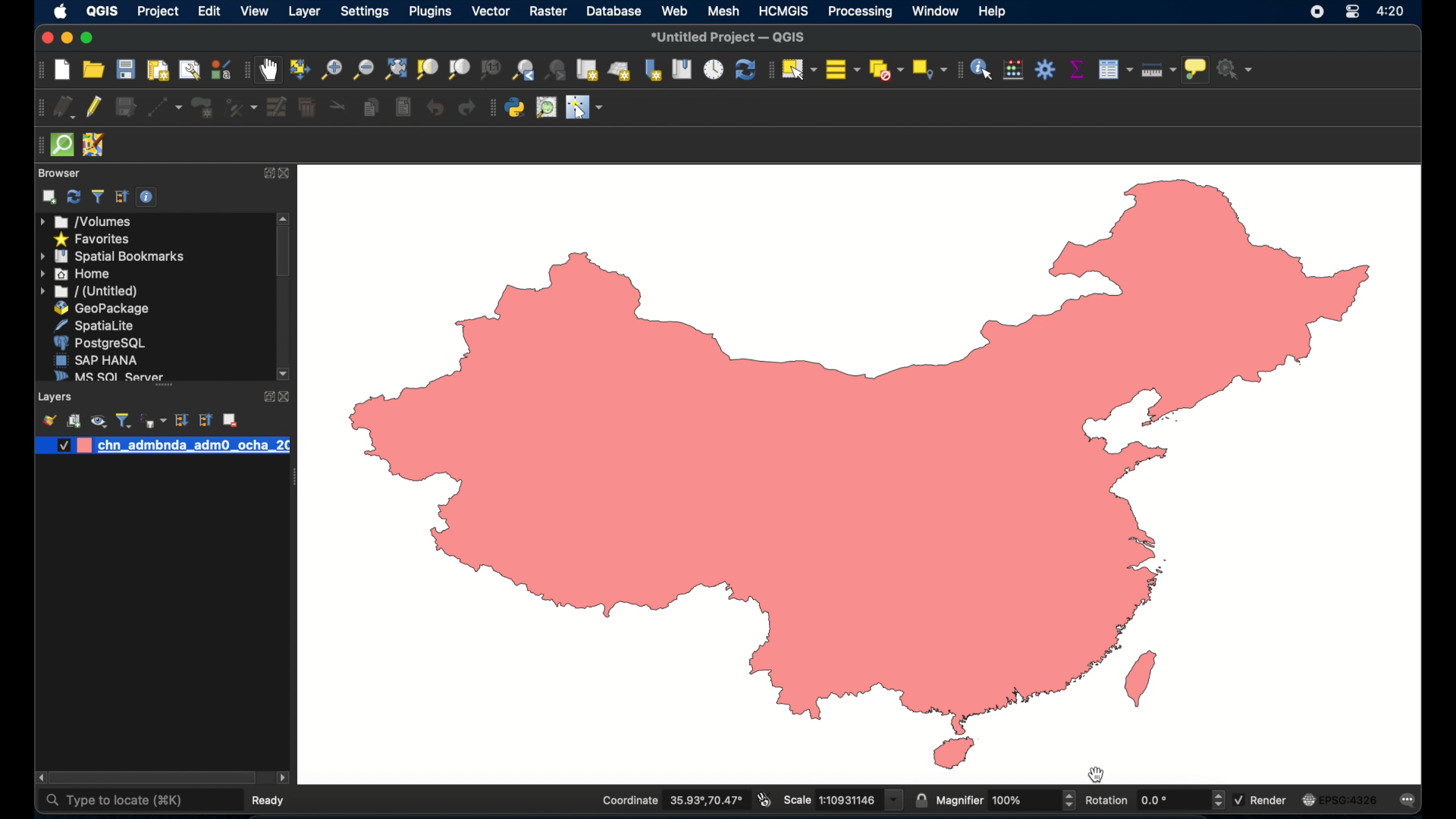  I want to click on select all features, so click(842, 68).